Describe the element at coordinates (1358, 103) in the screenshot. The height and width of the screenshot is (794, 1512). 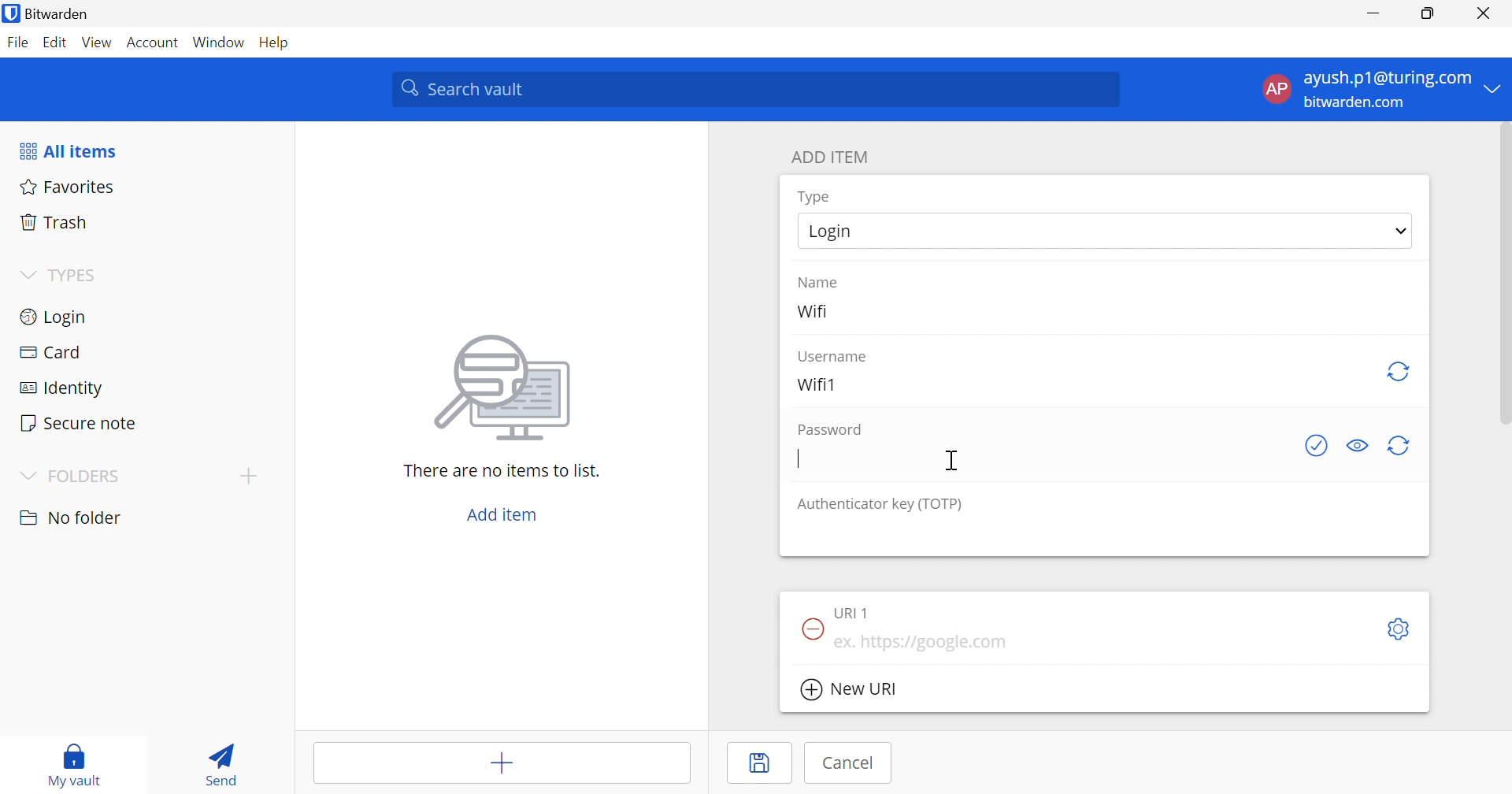
I see `bitwarden.com` at that location.